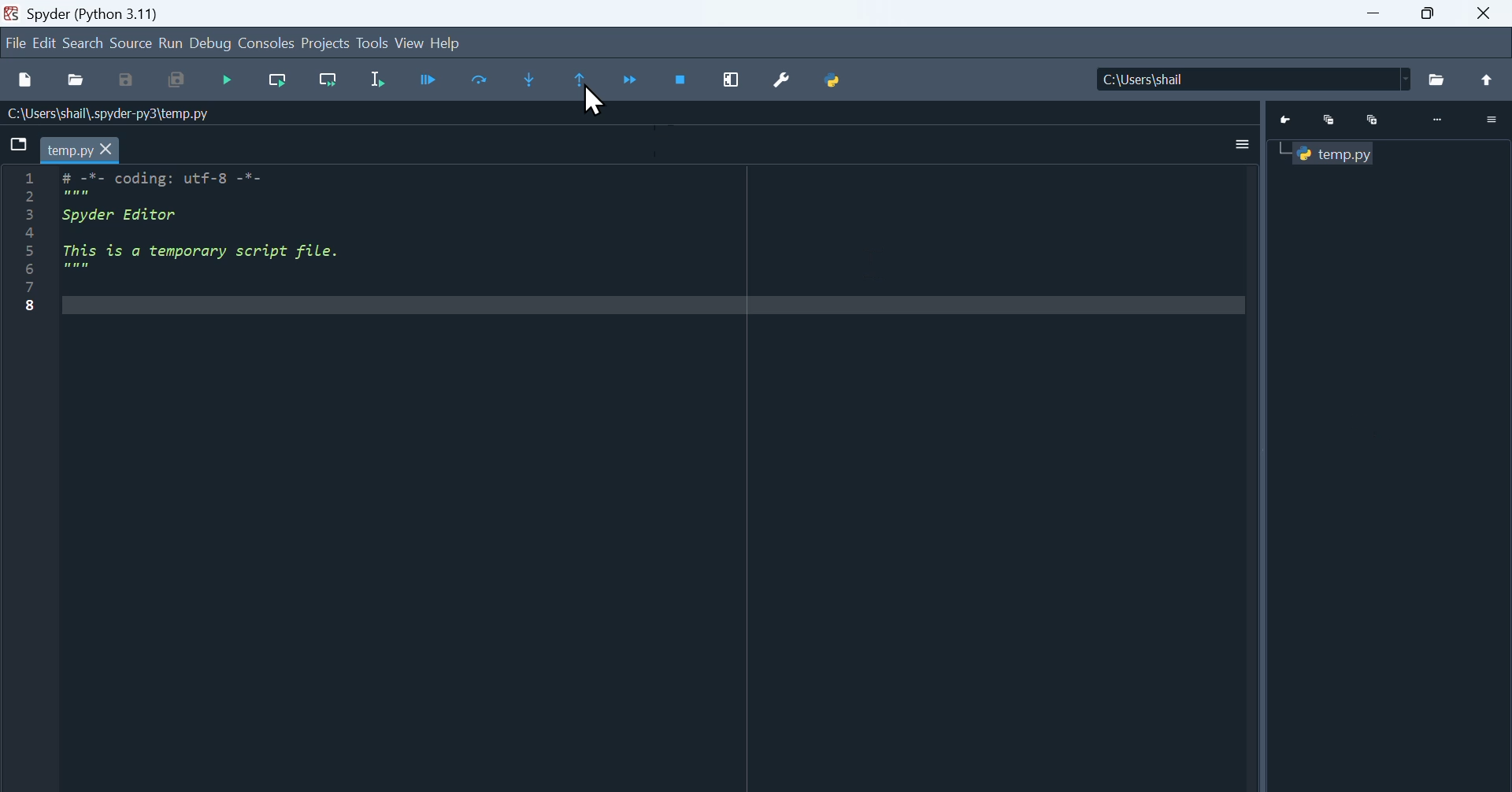  Describe the element at coordinates (1492, 120) in the screenshot. I see `Settings` at that location.